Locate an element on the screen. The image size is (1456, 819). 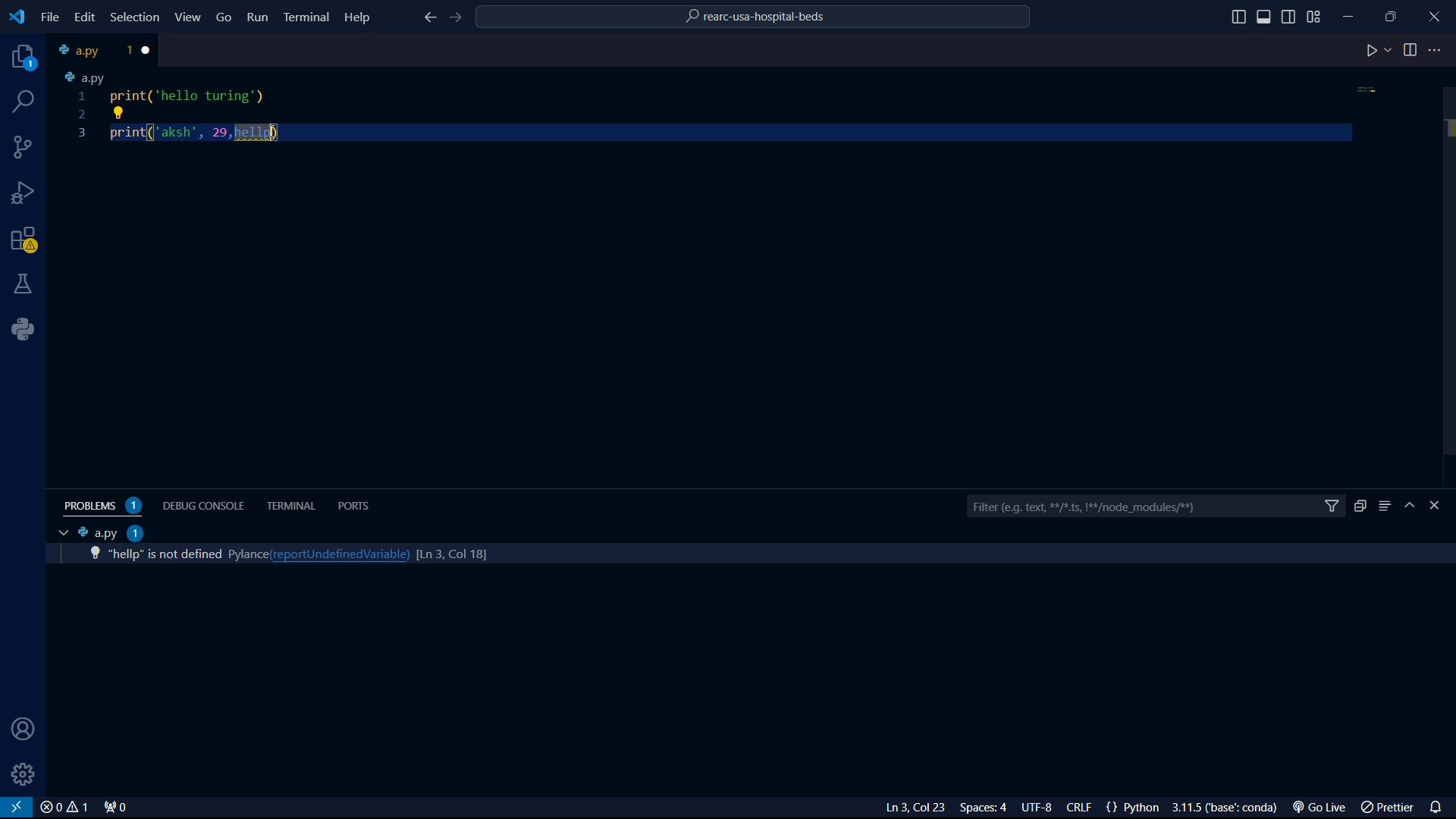
file is located at coordinates (50, 17).